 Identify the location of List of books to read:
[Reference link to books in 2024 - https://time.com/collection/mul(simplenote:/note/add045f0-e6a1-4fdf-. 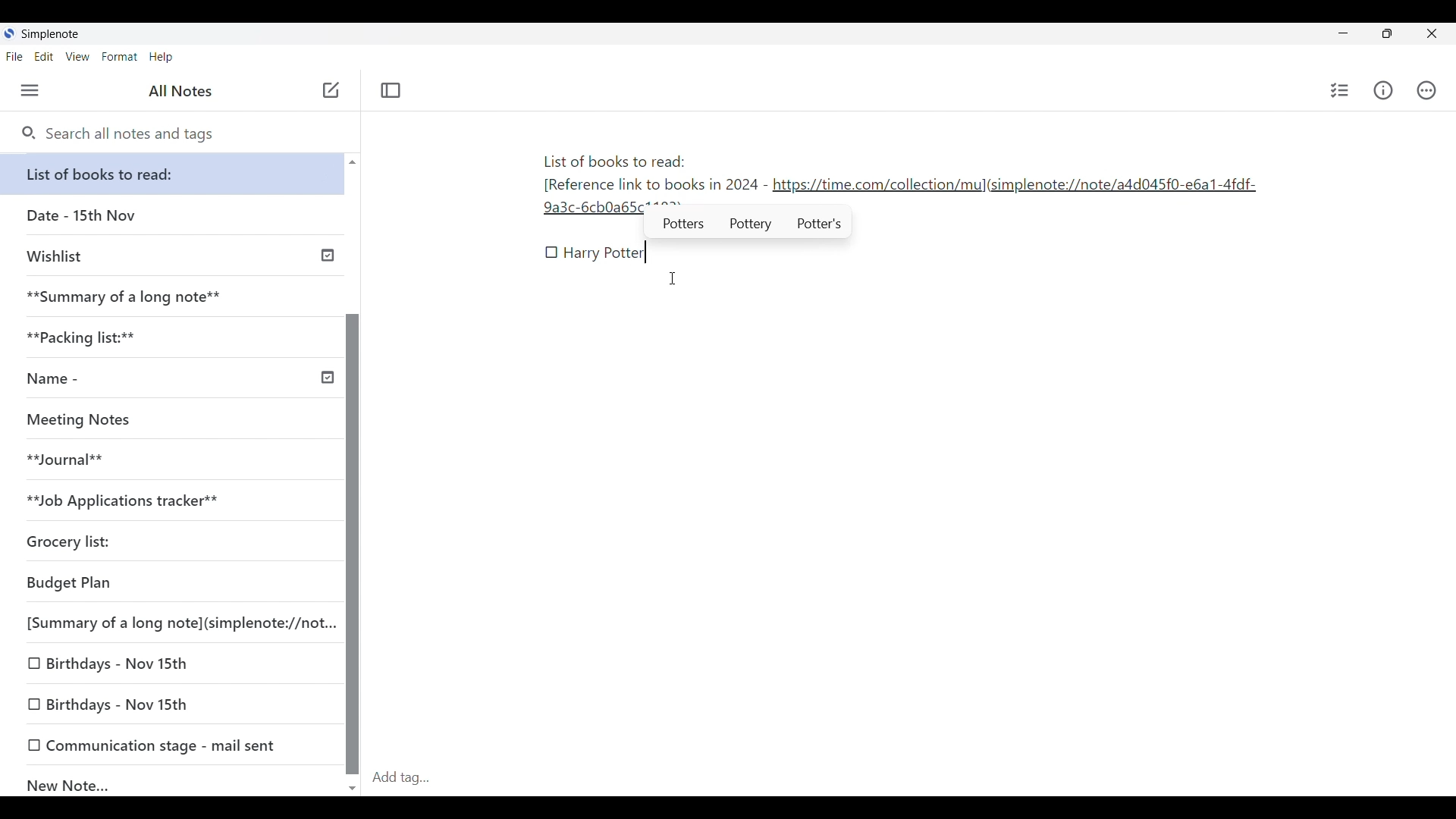
(897, 174).